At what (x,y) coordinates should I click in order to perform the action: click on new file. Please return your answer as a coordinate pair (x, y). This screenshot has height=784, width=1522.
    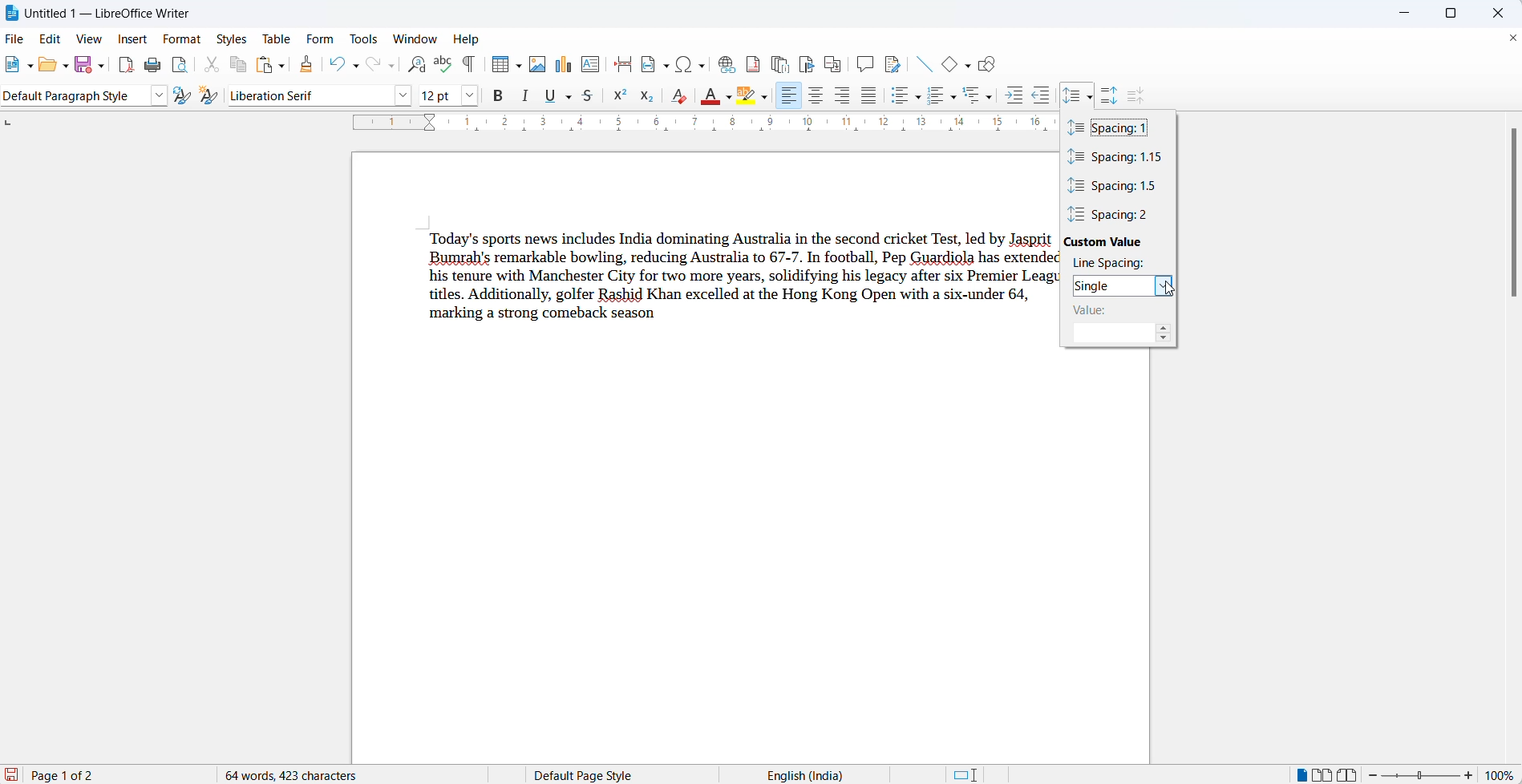
    Looking at the image, I should click on (14, 69).